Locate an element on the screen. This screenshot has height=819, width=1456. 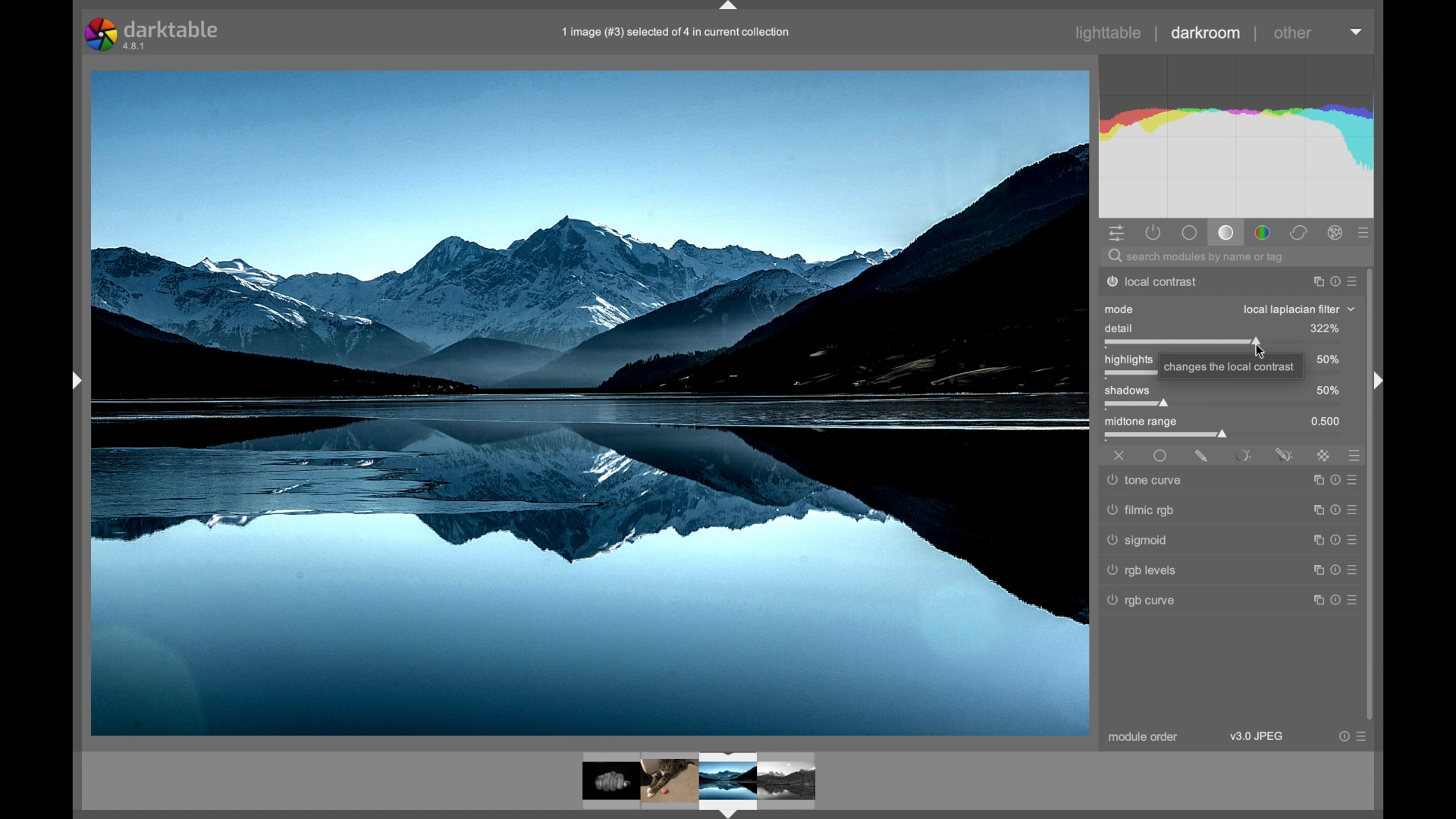
drawn mask is located at coordinates (1202, 456).